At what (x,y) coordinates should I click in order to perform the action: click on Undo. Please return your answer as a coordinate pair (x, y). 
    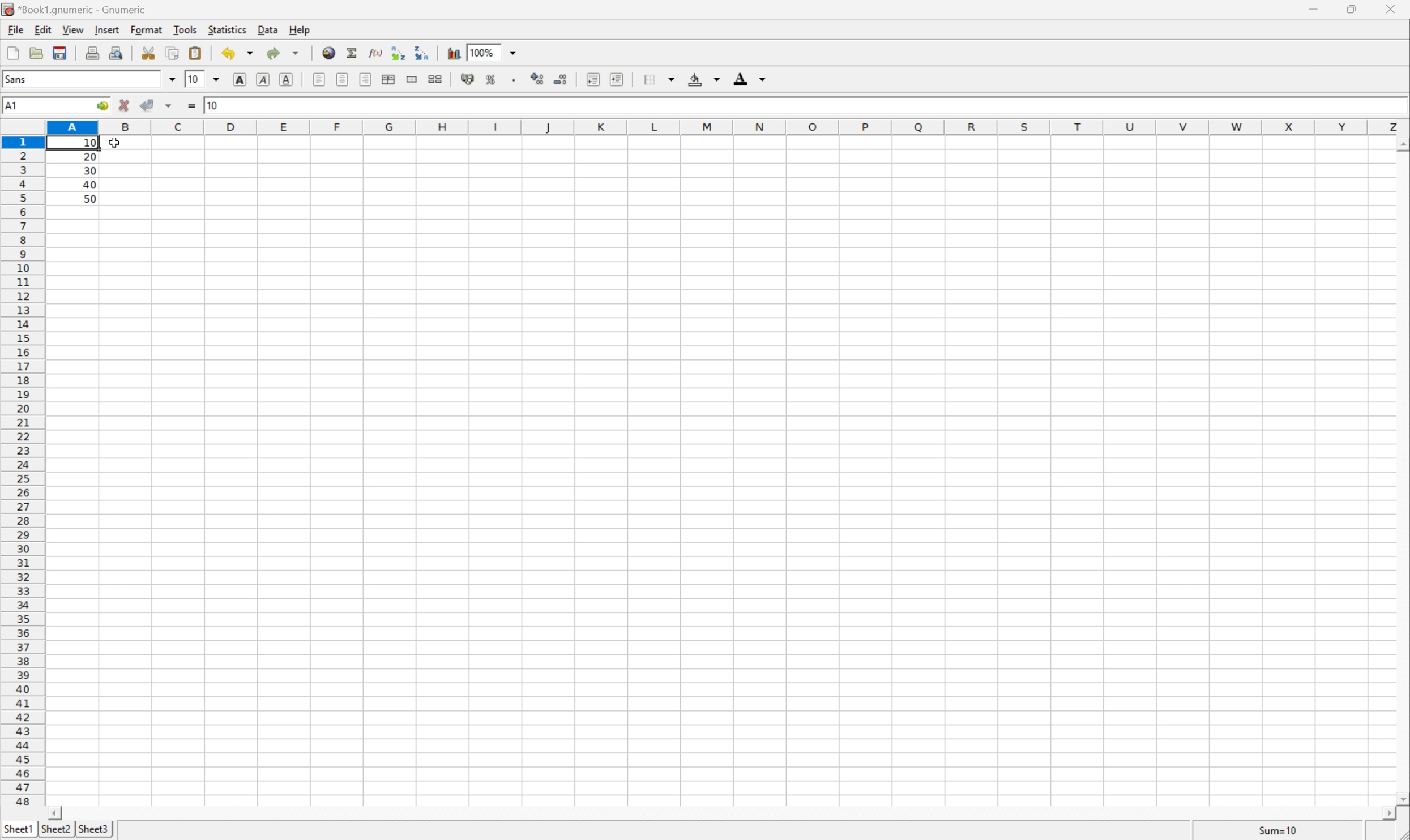
    Looking at the image, I should click on (237, 52).